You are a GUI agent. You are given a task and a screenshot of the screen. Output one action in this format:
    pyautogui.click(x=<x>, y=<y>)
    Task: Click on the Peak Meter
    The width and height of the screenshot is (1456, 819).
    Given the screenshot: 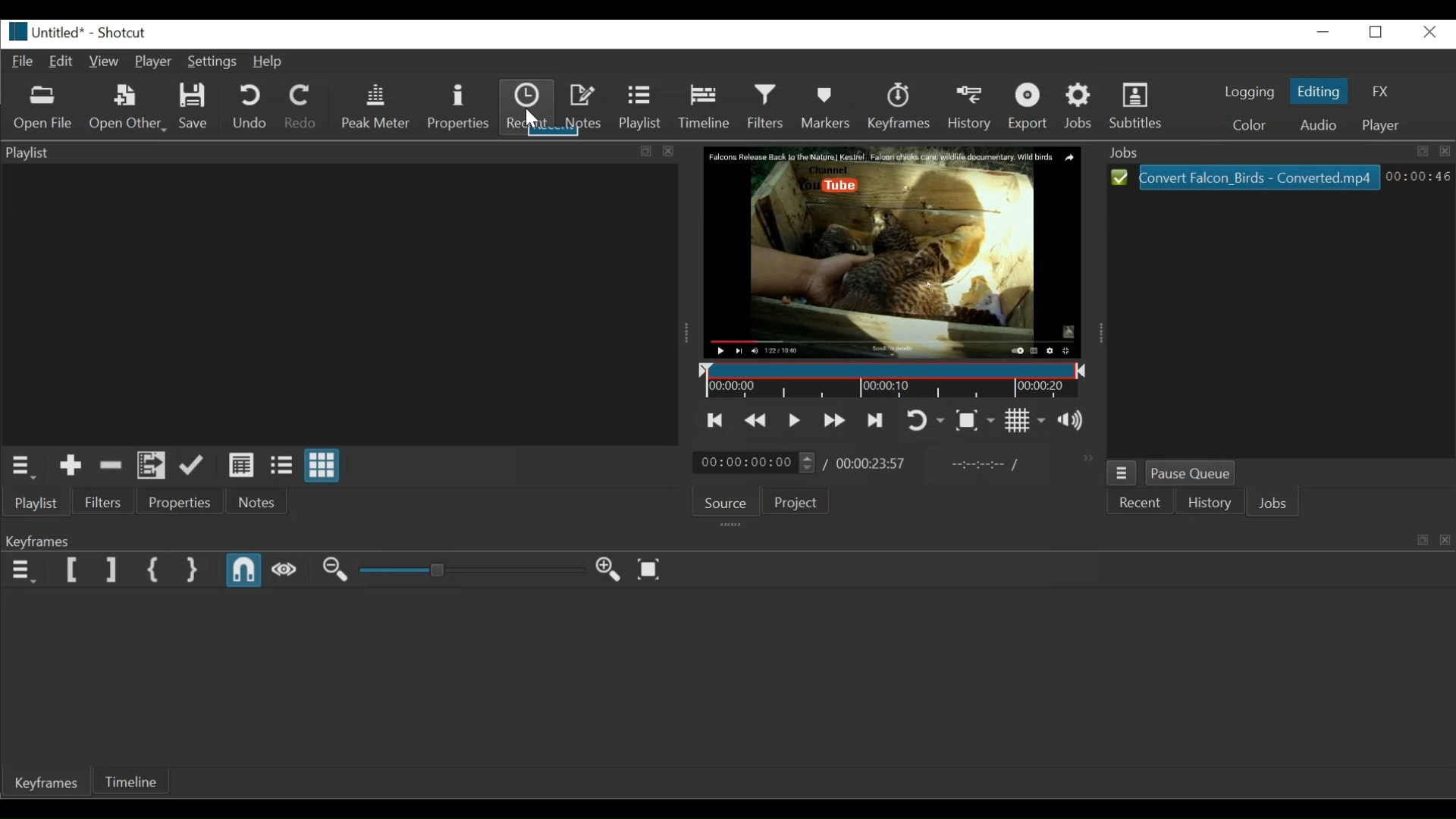 What is the action you would take?
    pyautogui.click(x=375, y=107)
    